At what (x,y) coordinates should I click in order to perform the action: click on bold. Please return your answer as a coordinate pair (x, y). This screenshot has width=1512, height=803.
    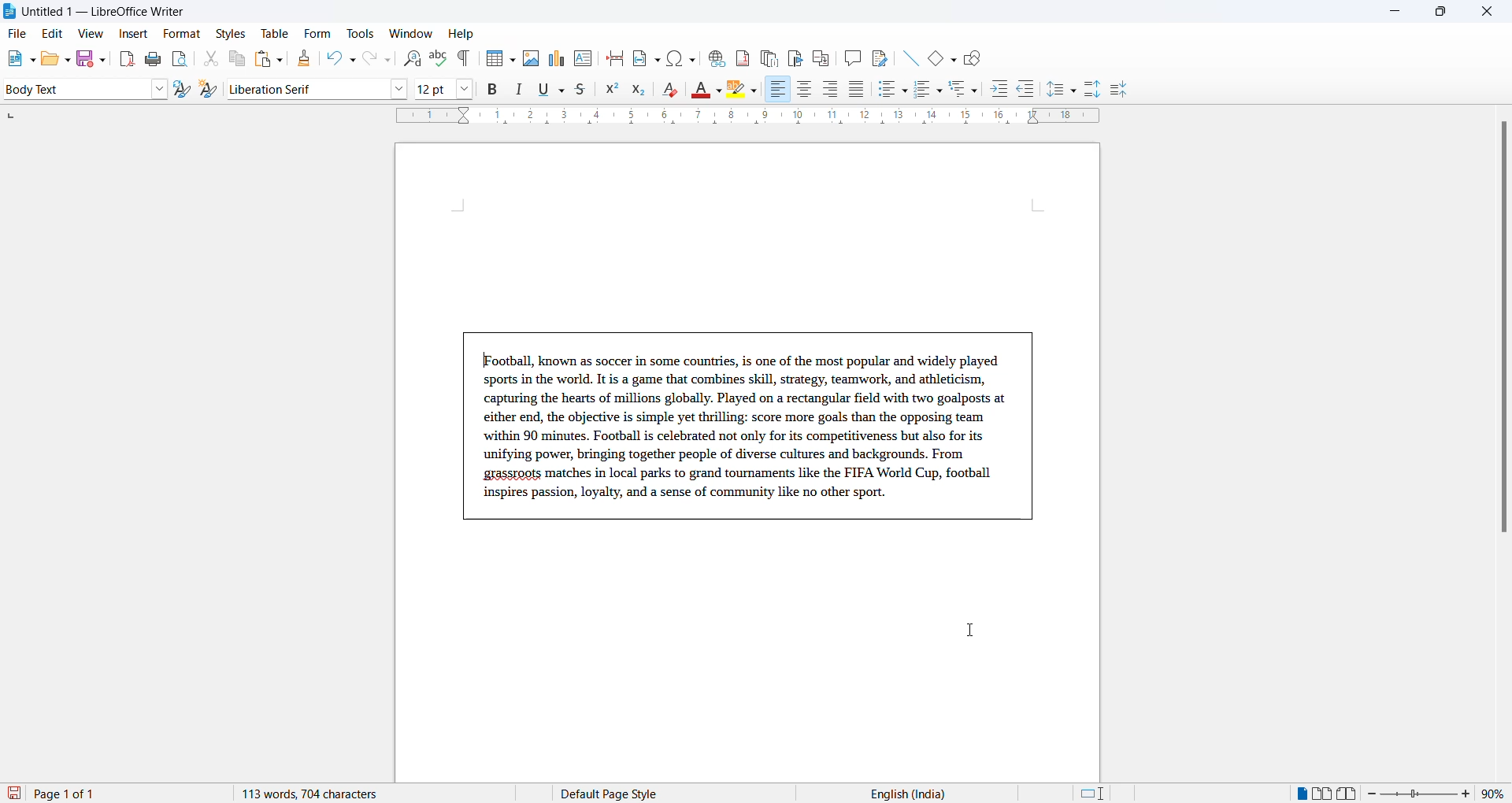
    Looking at the image, I should click on (493, 90).